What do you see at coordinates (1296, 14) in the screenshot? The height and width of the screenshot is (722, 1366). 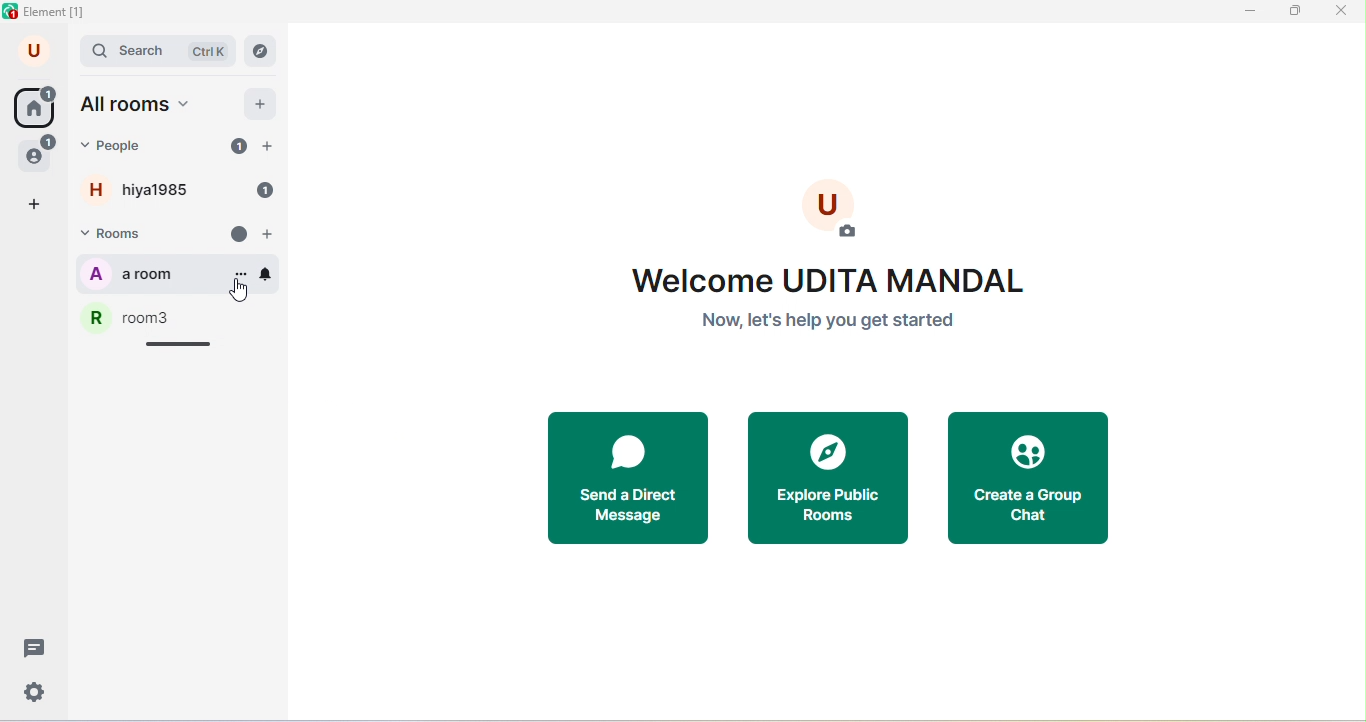 I see `maximize` at bounding box center [1296, 14].